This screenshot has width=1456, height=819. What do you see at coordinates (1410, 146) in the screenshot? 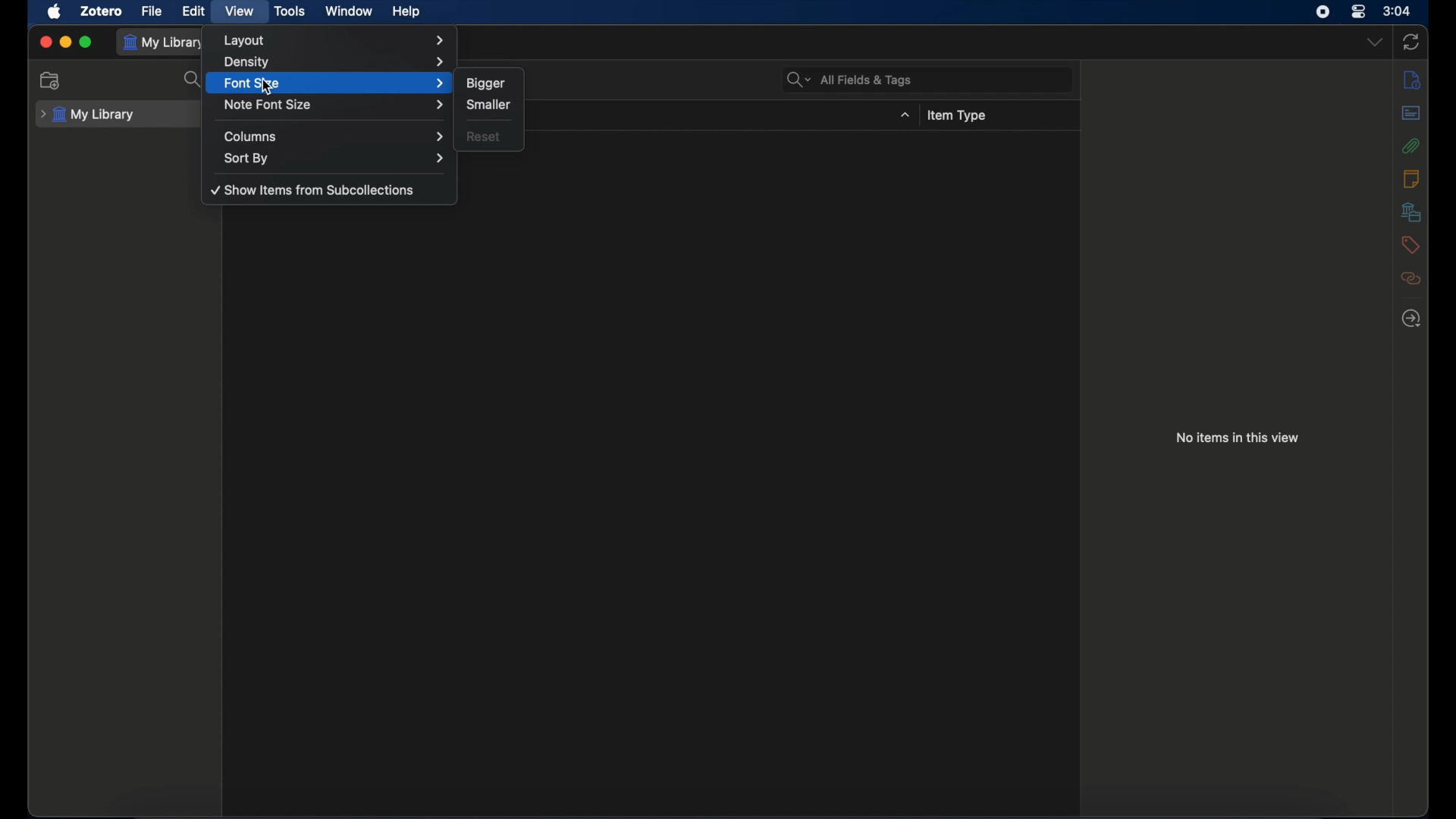
I see `attachments` at bounding box center [1410, 146].